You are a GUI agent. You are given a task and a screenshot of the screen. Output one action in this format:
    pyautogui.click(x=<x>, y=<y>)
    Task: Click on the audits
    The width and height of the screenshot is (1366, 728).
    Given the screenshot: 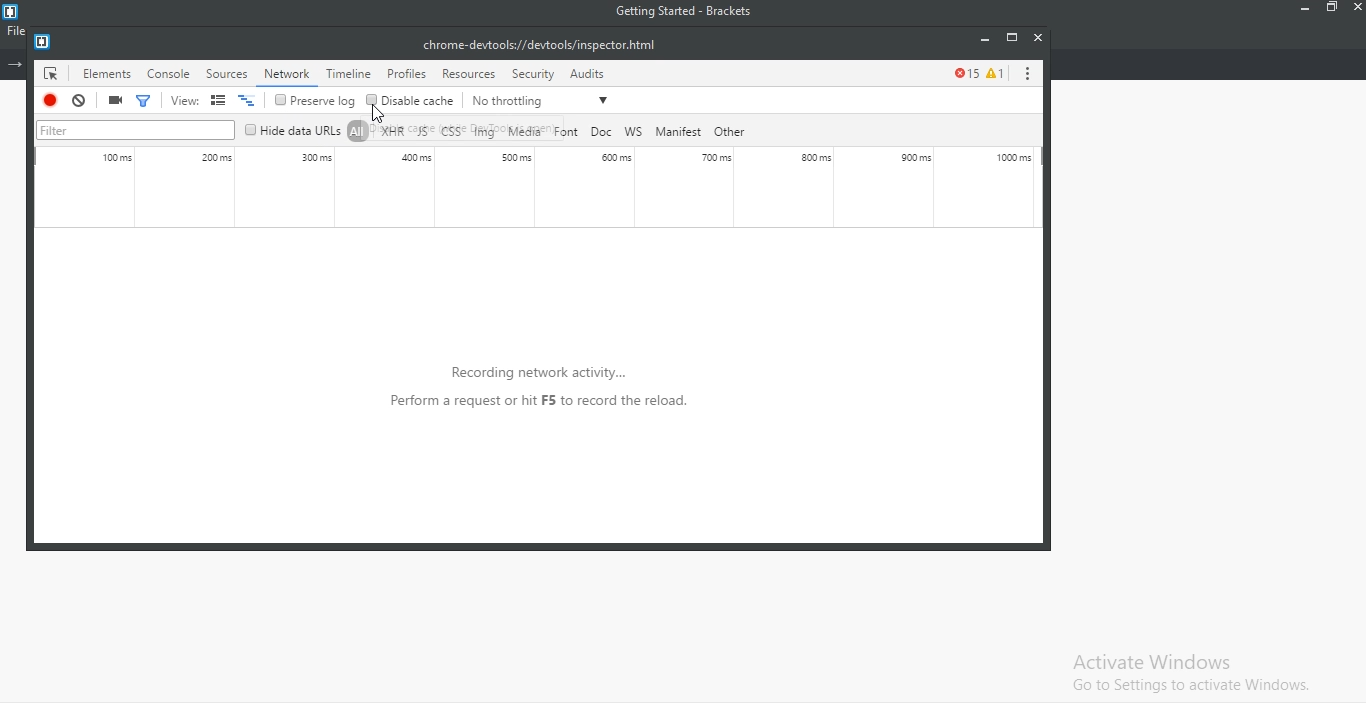 What is the action you would take?
    pyautogui.click(x=591, y=72)
    